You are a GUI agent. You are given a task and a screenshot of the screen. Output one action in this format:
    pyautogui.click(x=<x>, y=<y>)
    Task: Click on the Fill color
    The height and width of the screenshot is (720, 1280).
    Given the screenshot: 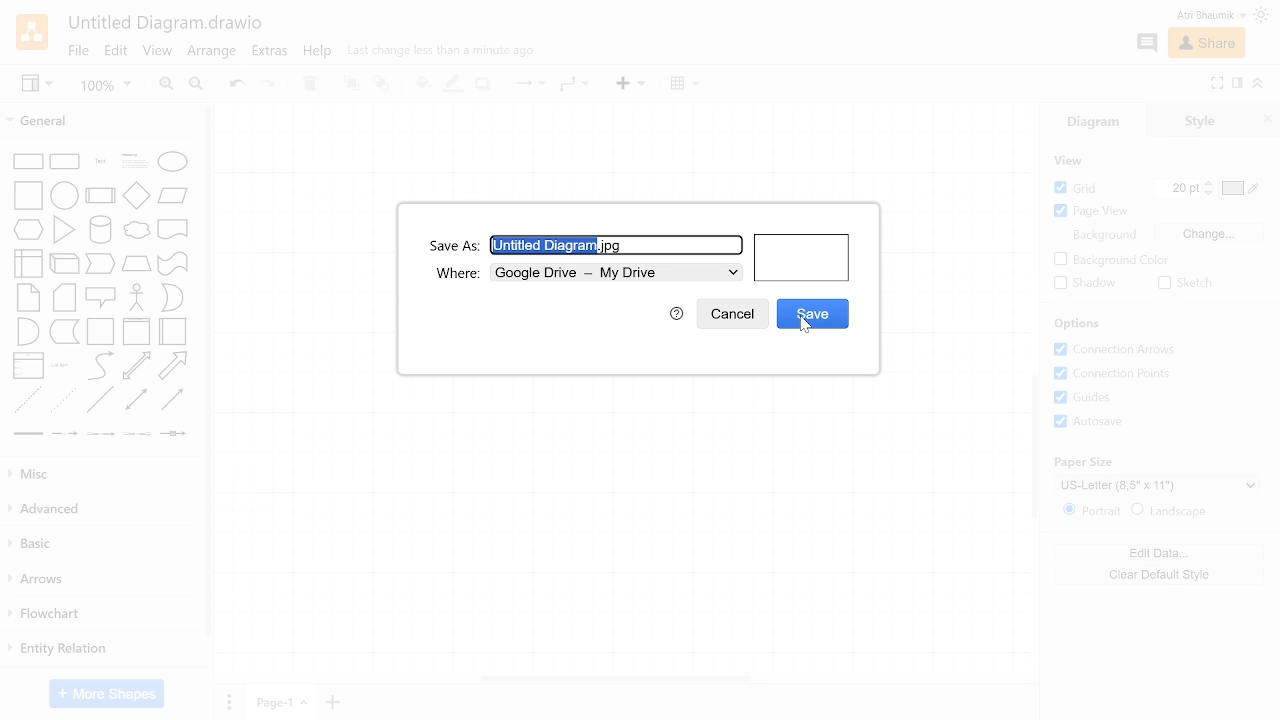 What is the action you would take?
    pyautogui.click(x=420, y=83)
    